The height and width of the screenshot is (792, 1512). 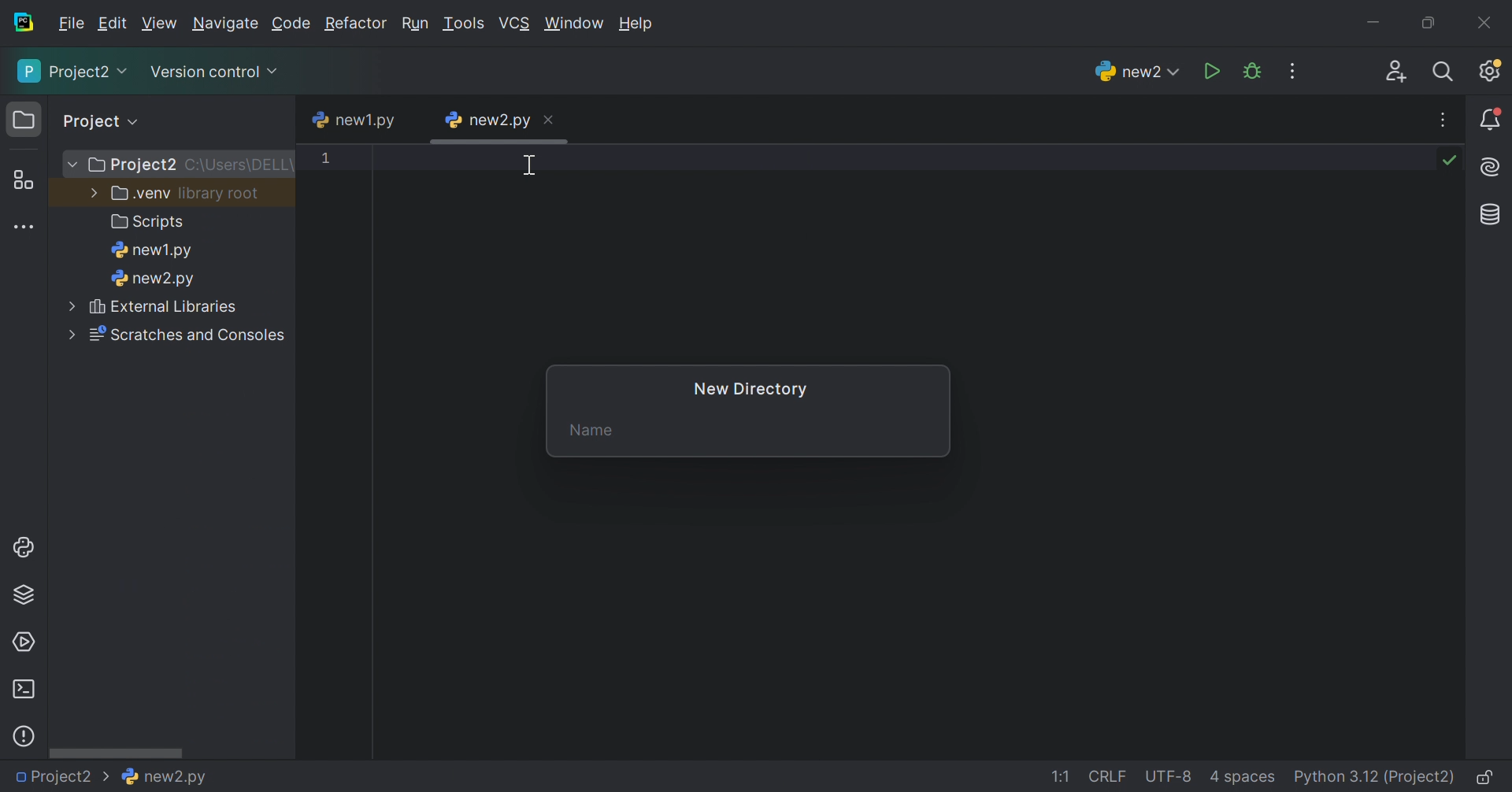 What do you see at coordinates (1061, 778) in the screenshot?
I see `1:1` at bounding box center [1061, 778].